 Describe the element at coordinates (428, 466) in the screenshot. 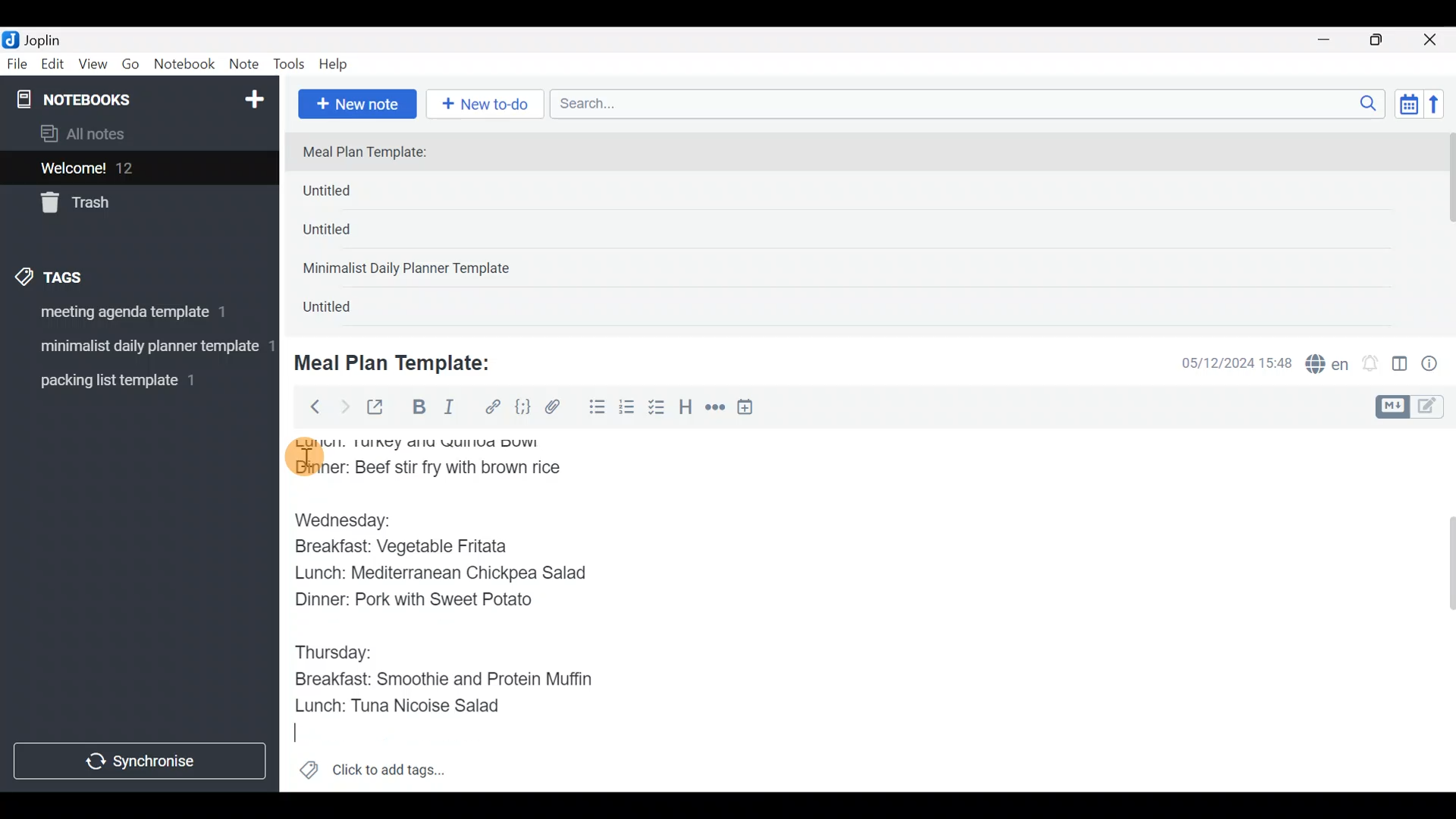

I see `Dinner: Beef stir fry with brown rice` at that location.